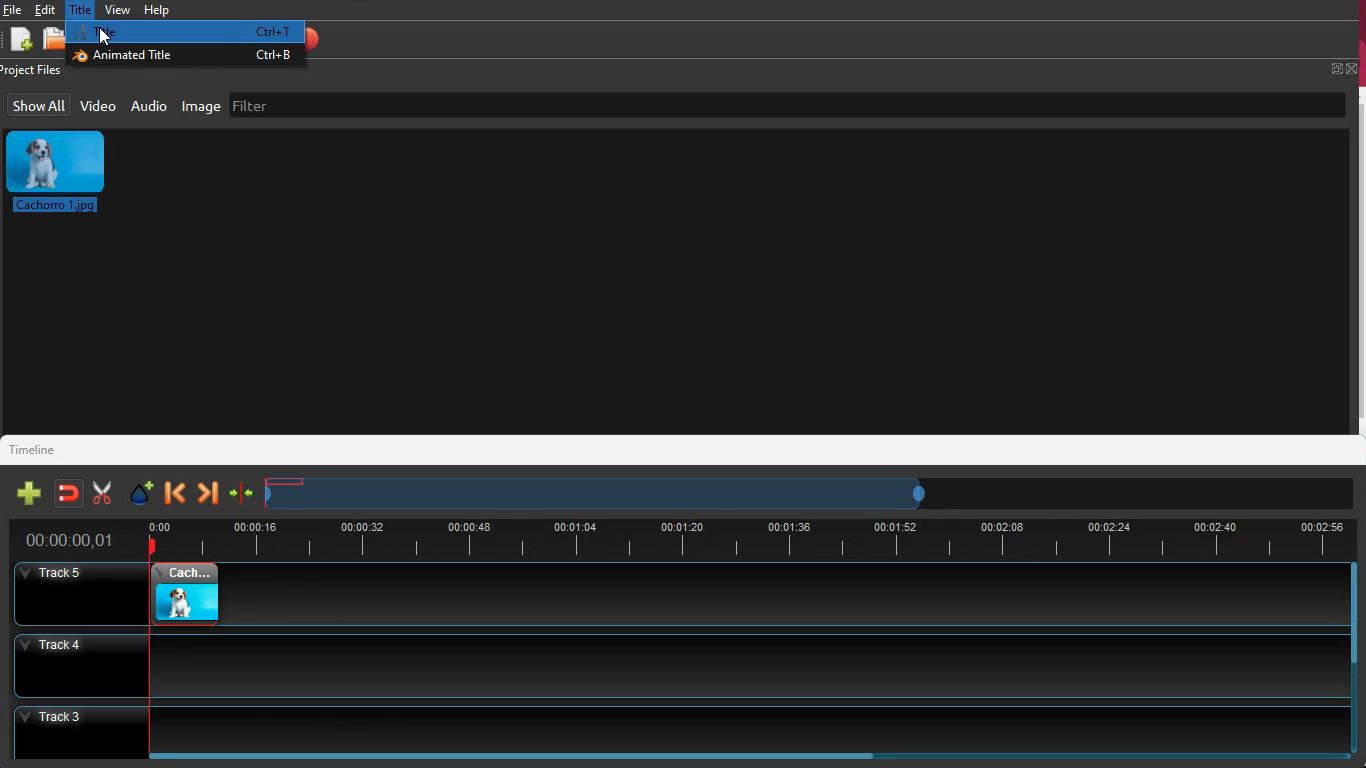  I want to click on help, so click(155, 10).